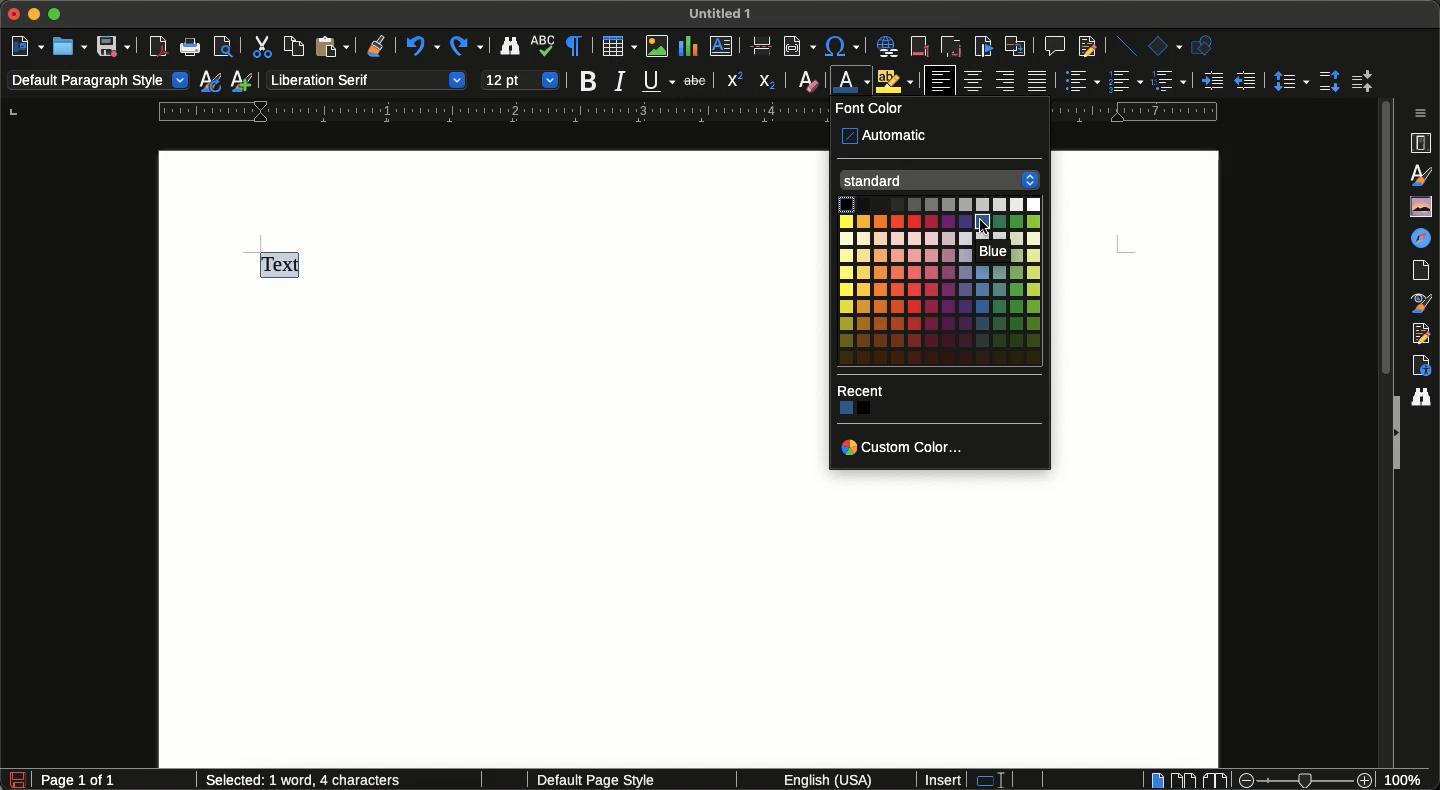 The image size is (1440, 790). I want to click on Page, so click(1425, 271).